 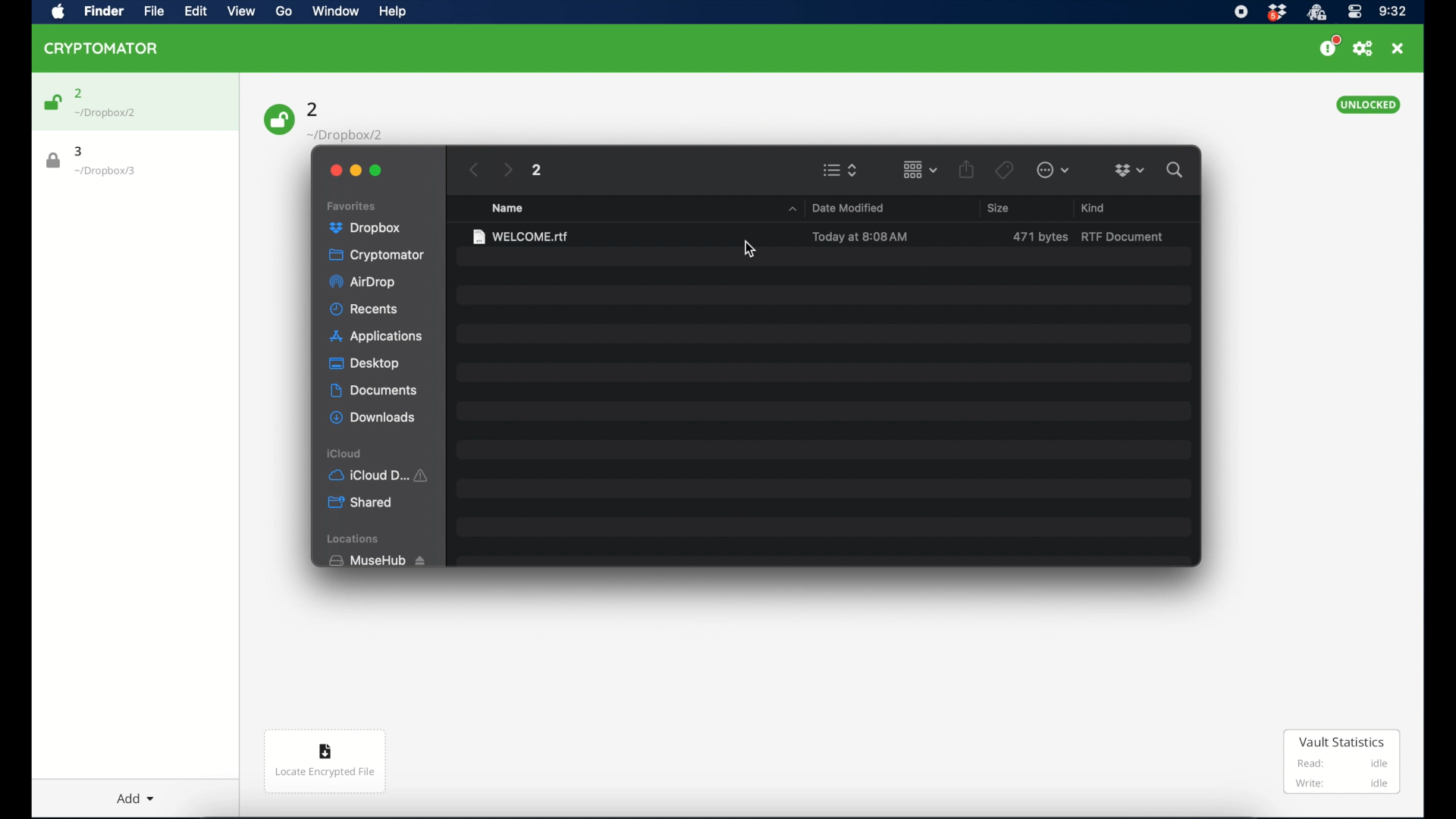 I want to click on View, so click(x=239, y=12).